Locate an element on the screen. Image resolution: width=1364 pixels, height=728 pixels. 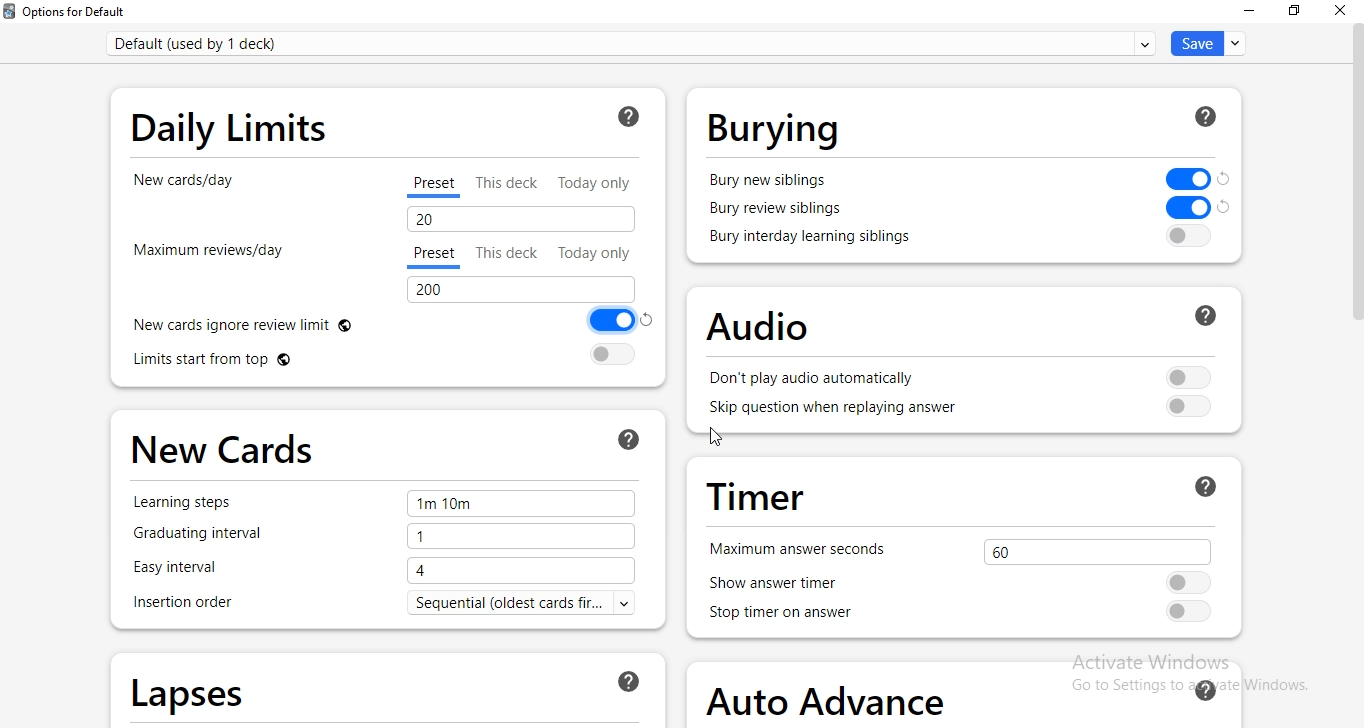
learning step is located at coordinates (190, 502).